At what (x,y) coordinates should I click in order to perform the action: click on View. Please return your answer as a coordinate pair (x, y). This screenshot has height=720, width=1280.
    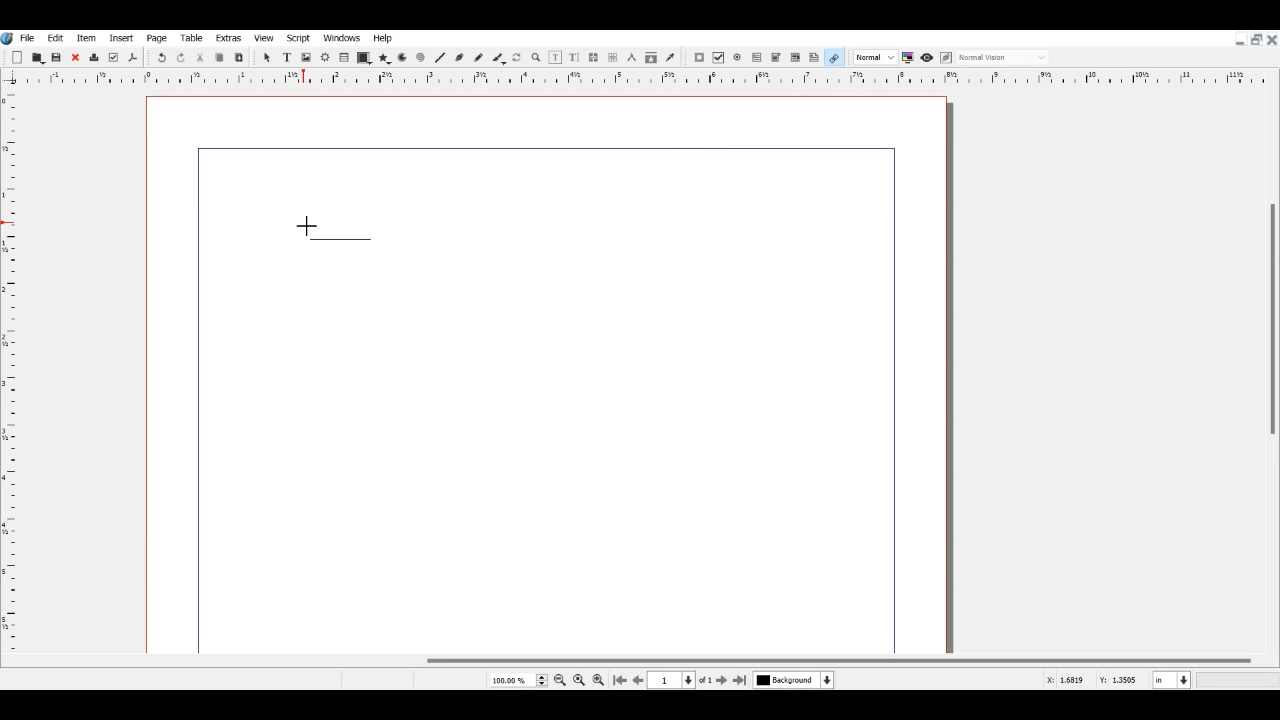
    Looking at the image, I should click on (263, 38).